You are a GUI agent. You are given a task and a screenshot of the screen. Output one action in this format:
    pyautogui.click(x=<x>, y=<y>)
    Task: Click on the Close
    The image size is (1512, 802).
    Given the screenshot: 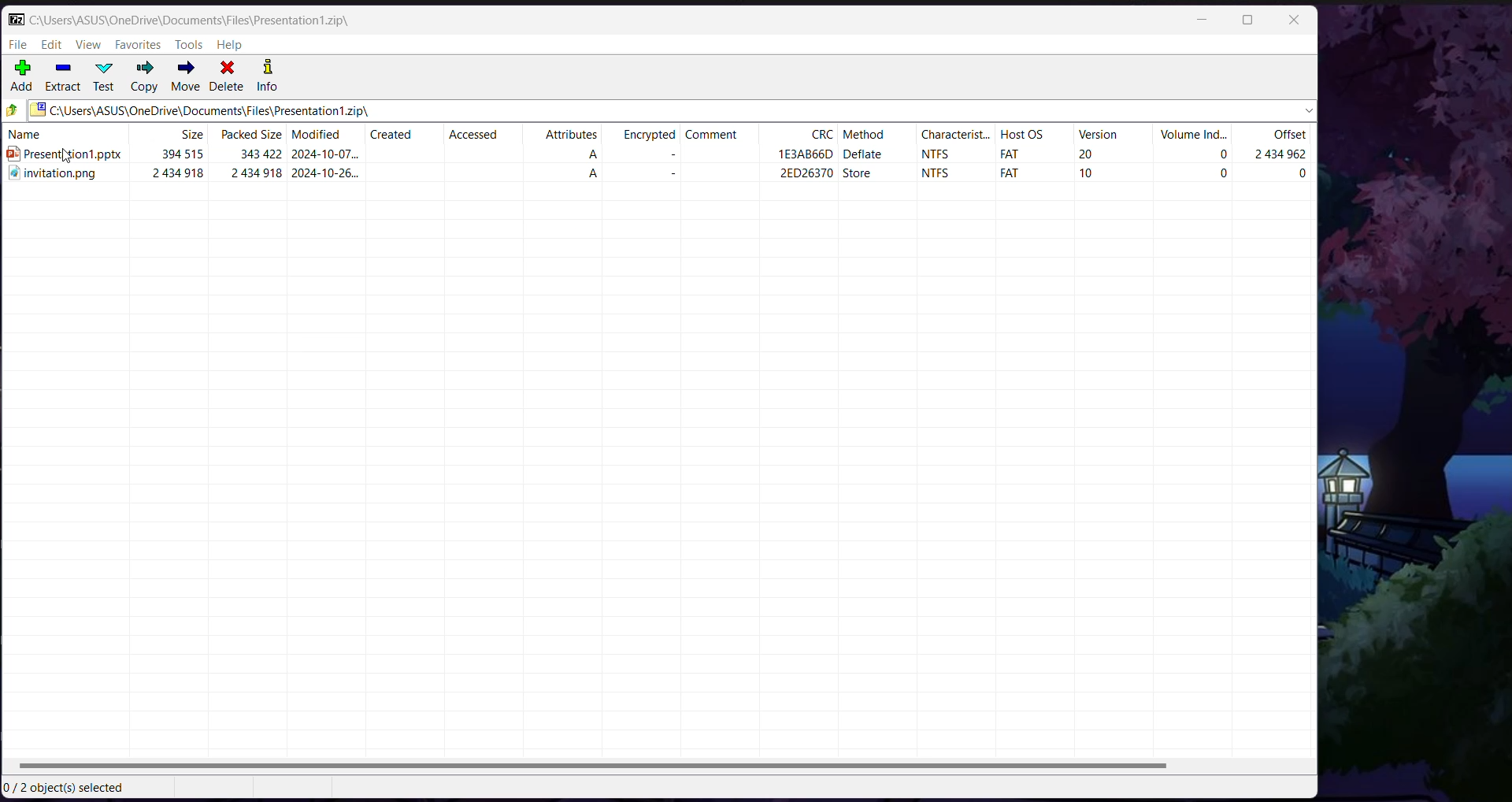 What is the action you would take?
    pyautogui.click(x=1296, y=20)
    